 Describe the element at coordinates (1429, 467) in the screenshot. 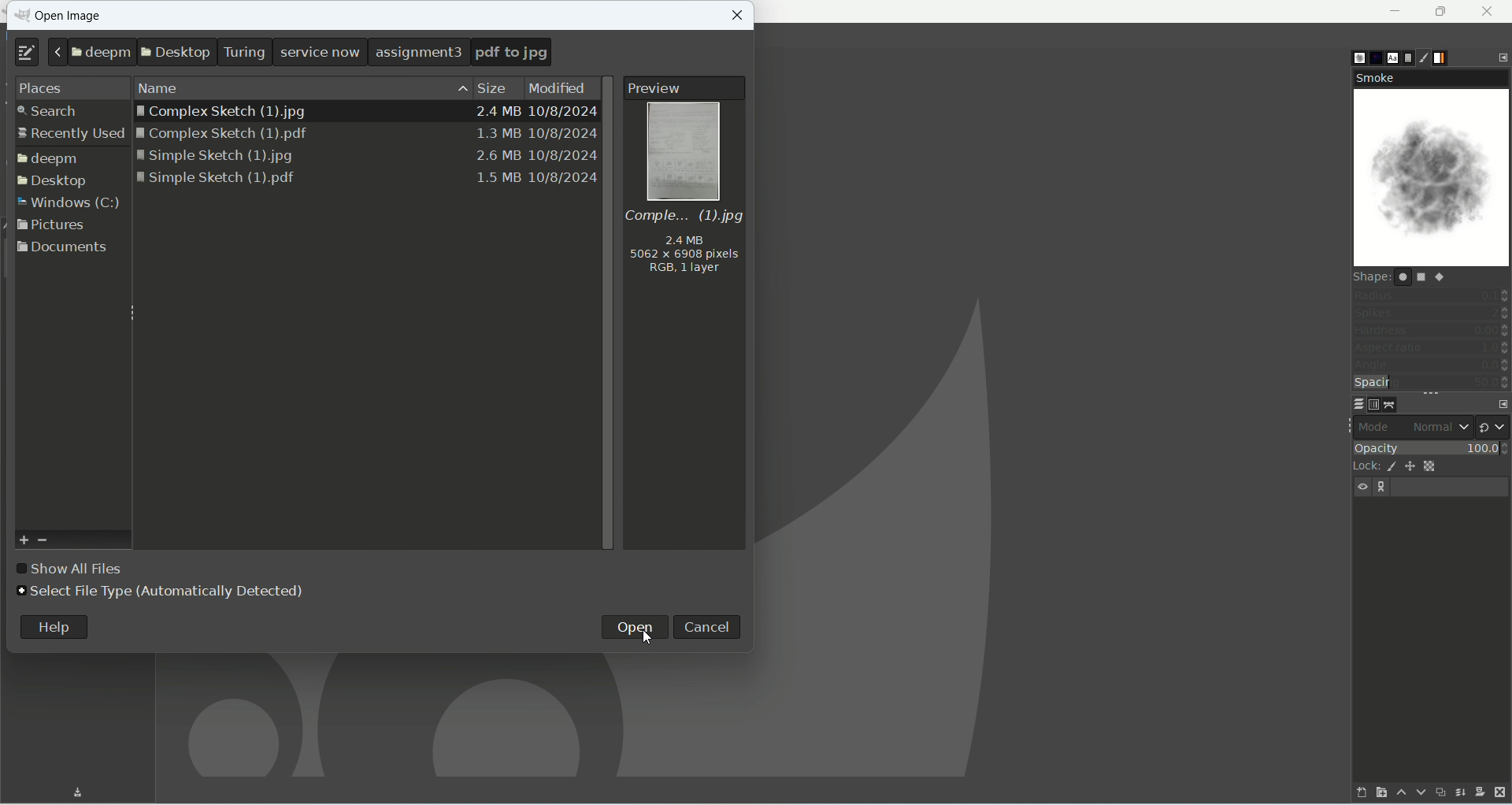

I see `lock alpha channel` at that location.